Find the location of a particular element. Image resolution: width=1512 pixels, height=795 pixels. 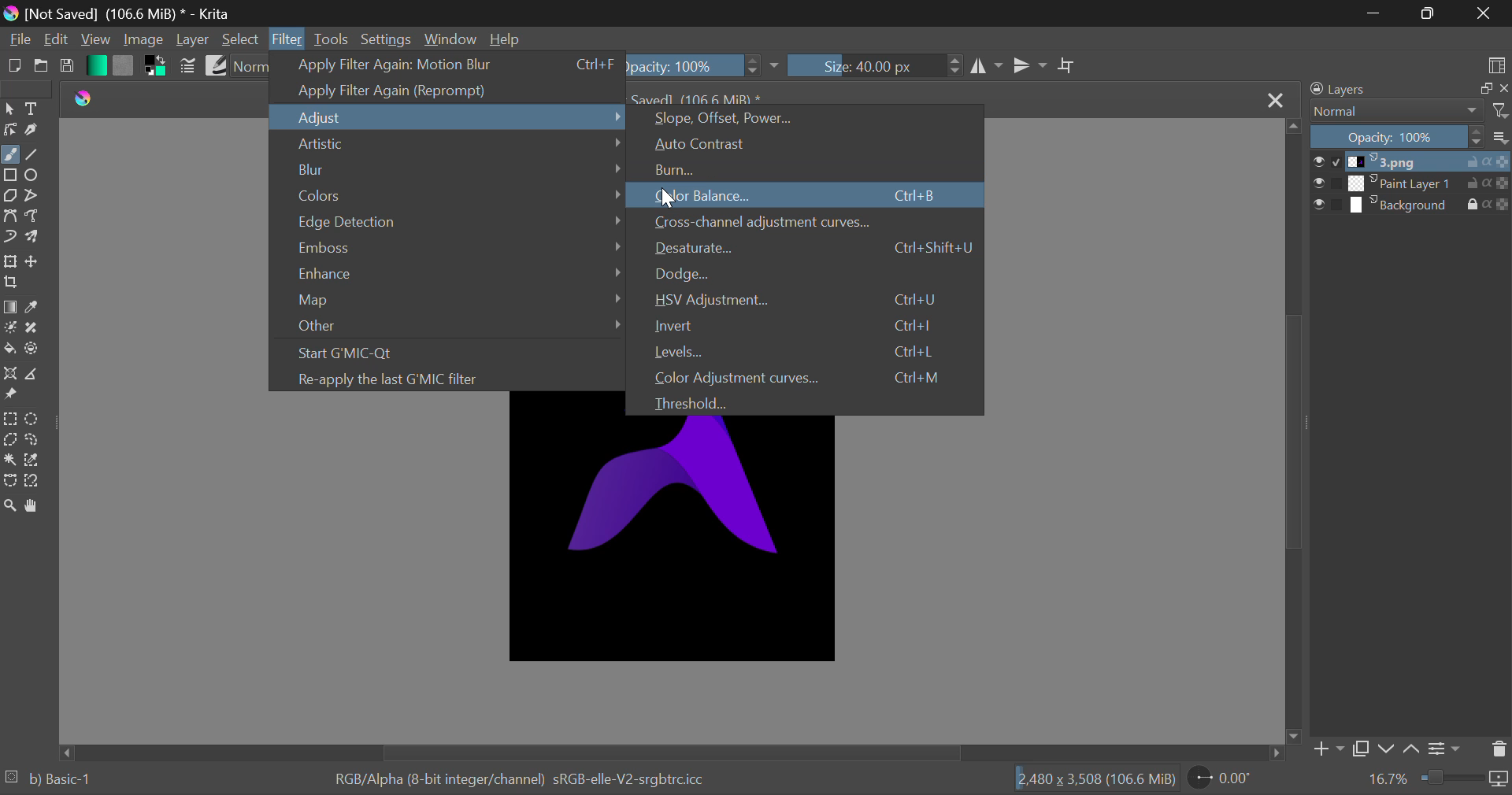

Magnetic Selection is located at coordinates (35, 481).